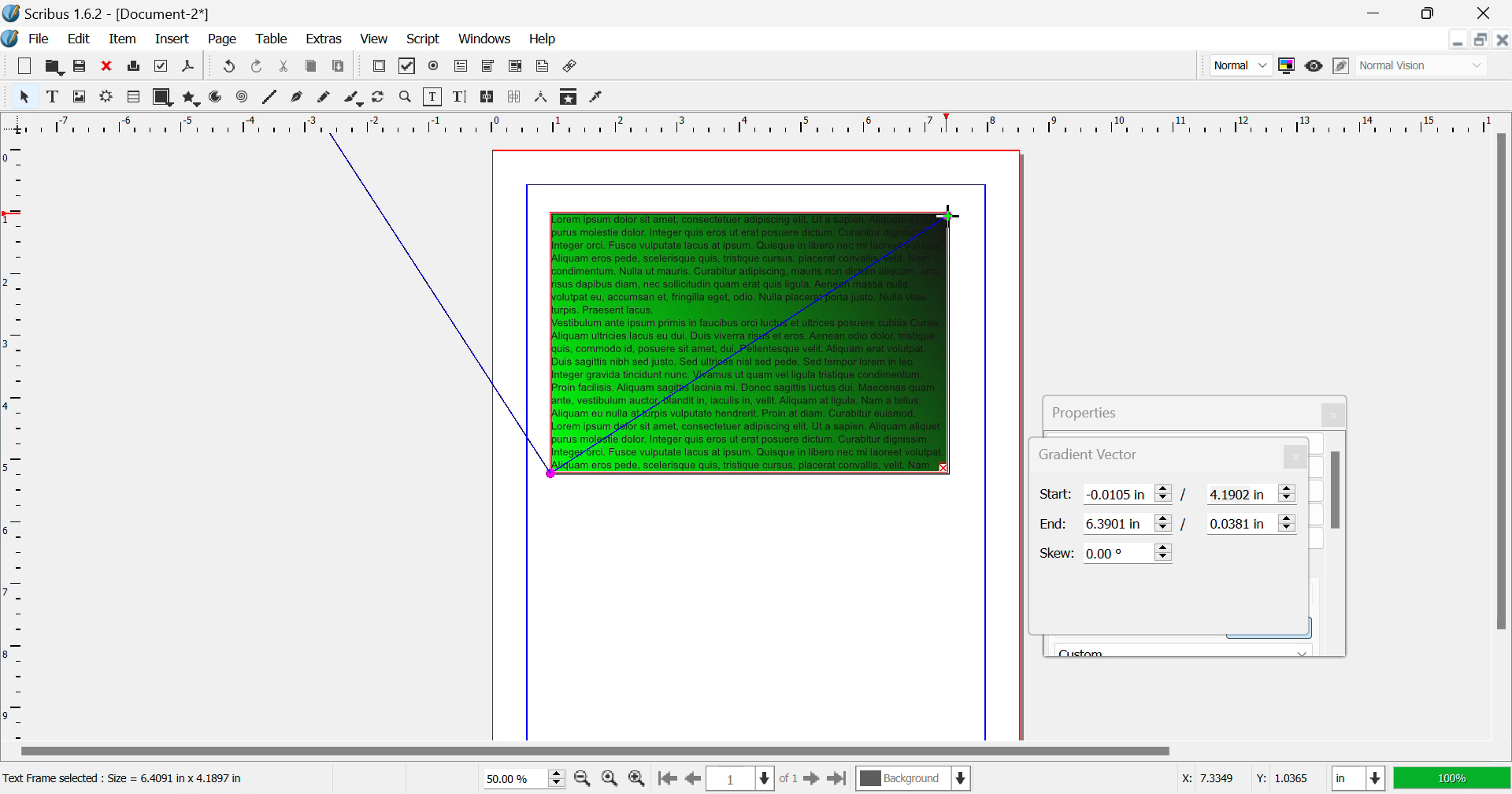 Image resolution: width=1512 pixels, height=794 pixels. I want to click on Gradient Vector Start, so click(1169, 495).